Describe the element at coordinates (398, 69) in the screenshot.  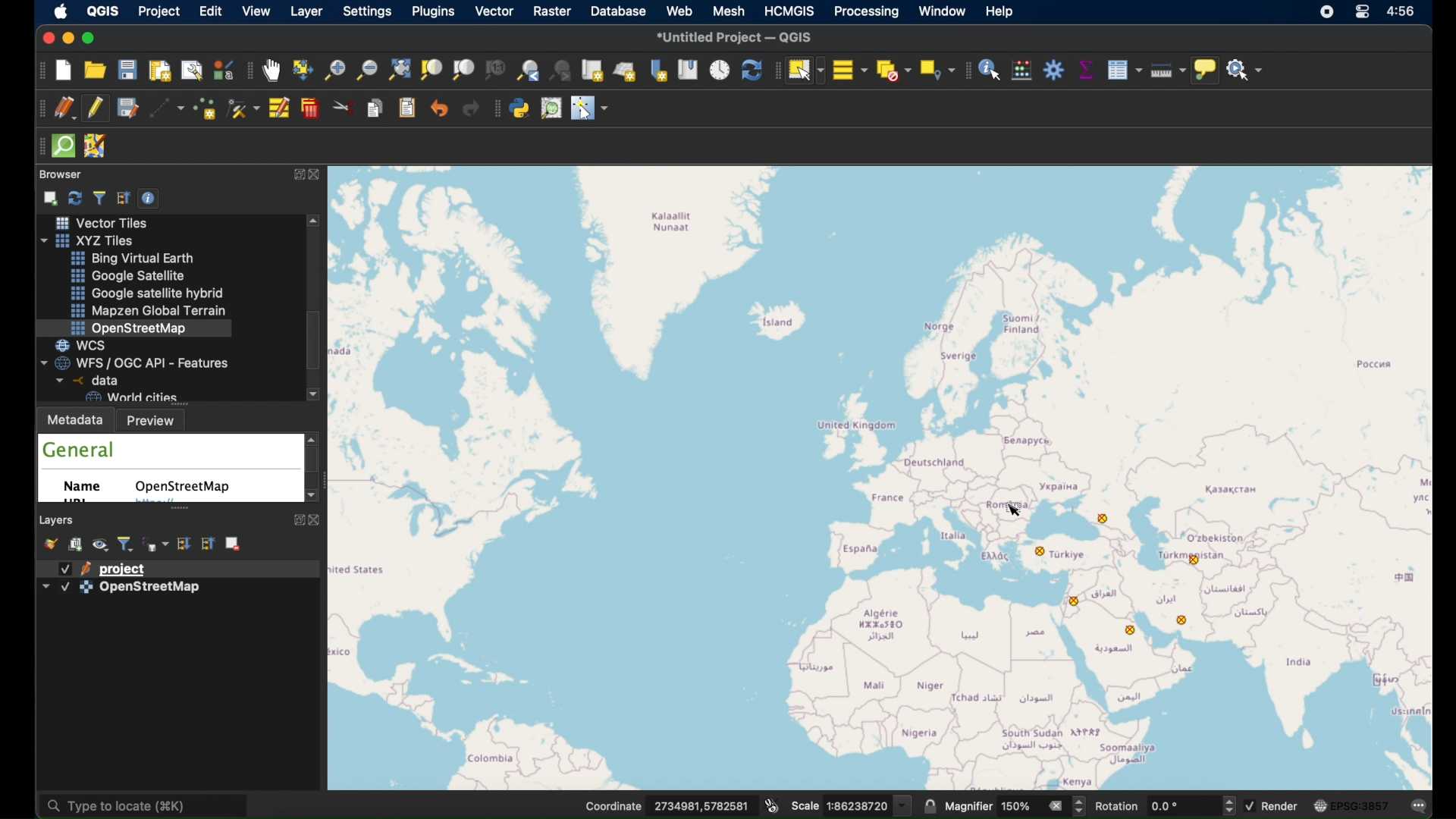
I see `zoom full` at that location.